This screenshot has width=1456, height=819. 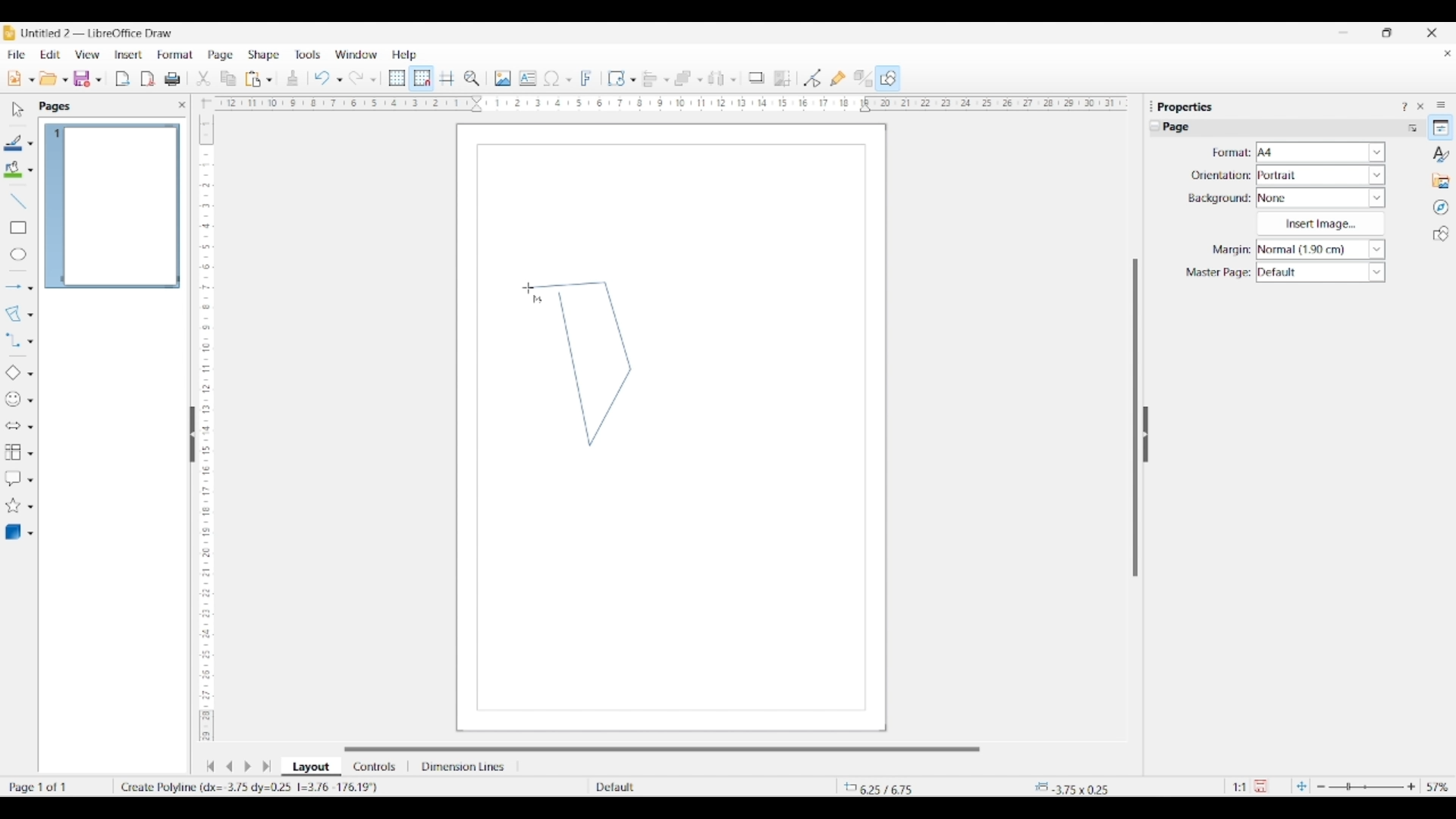 I want to click on Close left sidebar, so click(x=182, y=105).